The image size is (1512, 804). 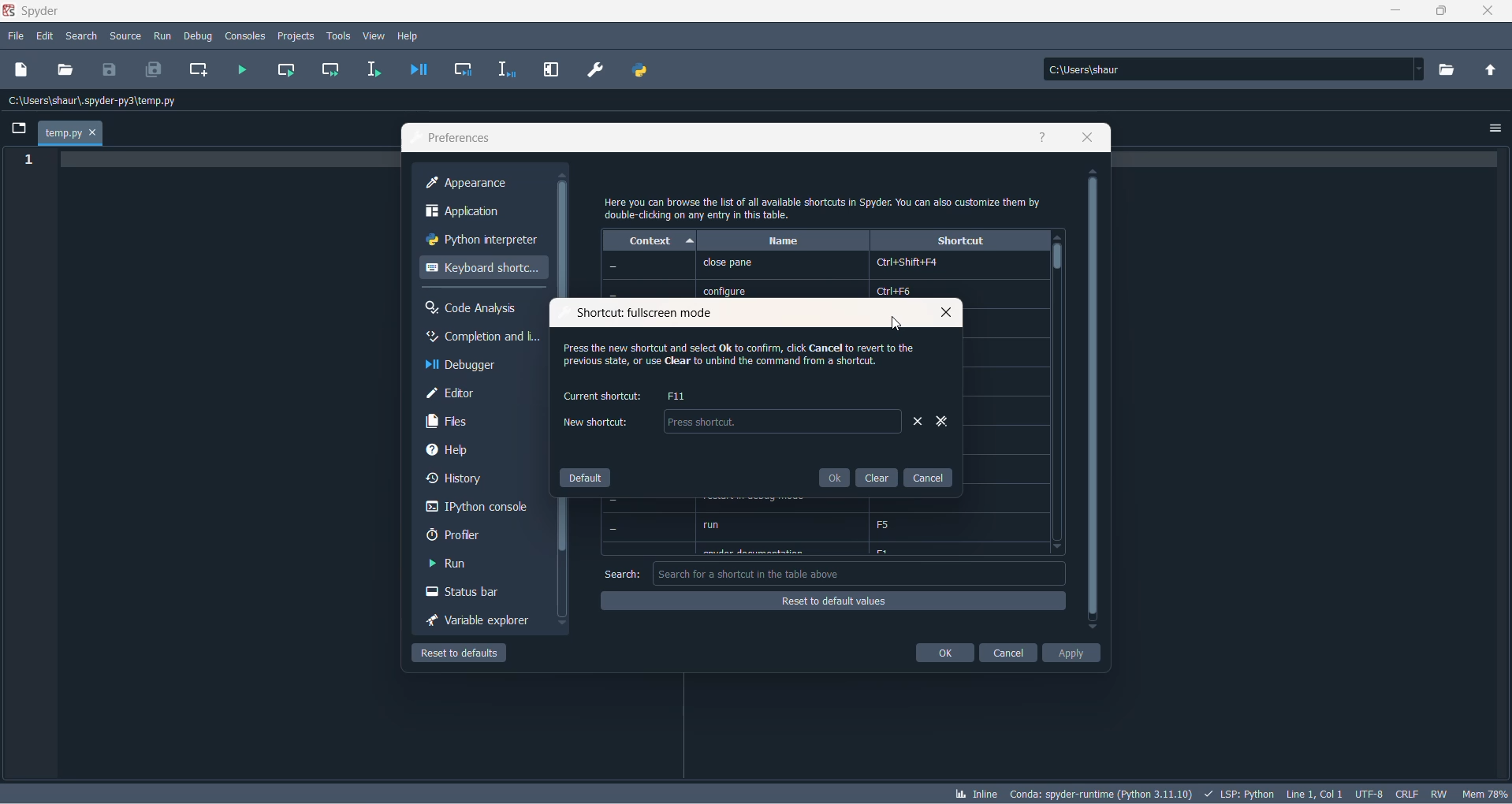 What do you see at coordinates (621, 575) in the screenshot?
I see `search text` at bounding box center [621, 575].